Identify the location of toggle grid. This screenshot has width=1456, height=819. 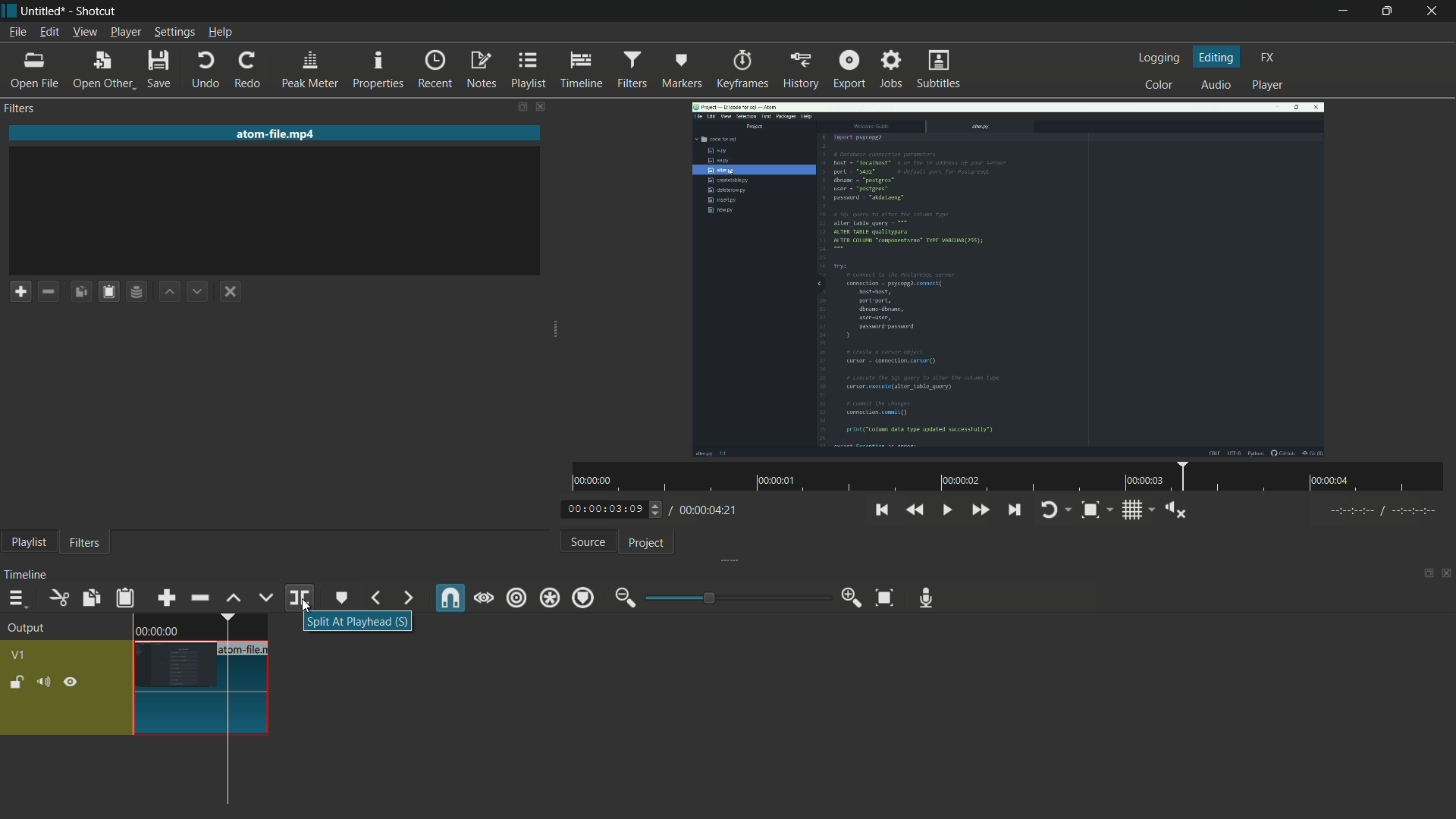
(1134, 510).